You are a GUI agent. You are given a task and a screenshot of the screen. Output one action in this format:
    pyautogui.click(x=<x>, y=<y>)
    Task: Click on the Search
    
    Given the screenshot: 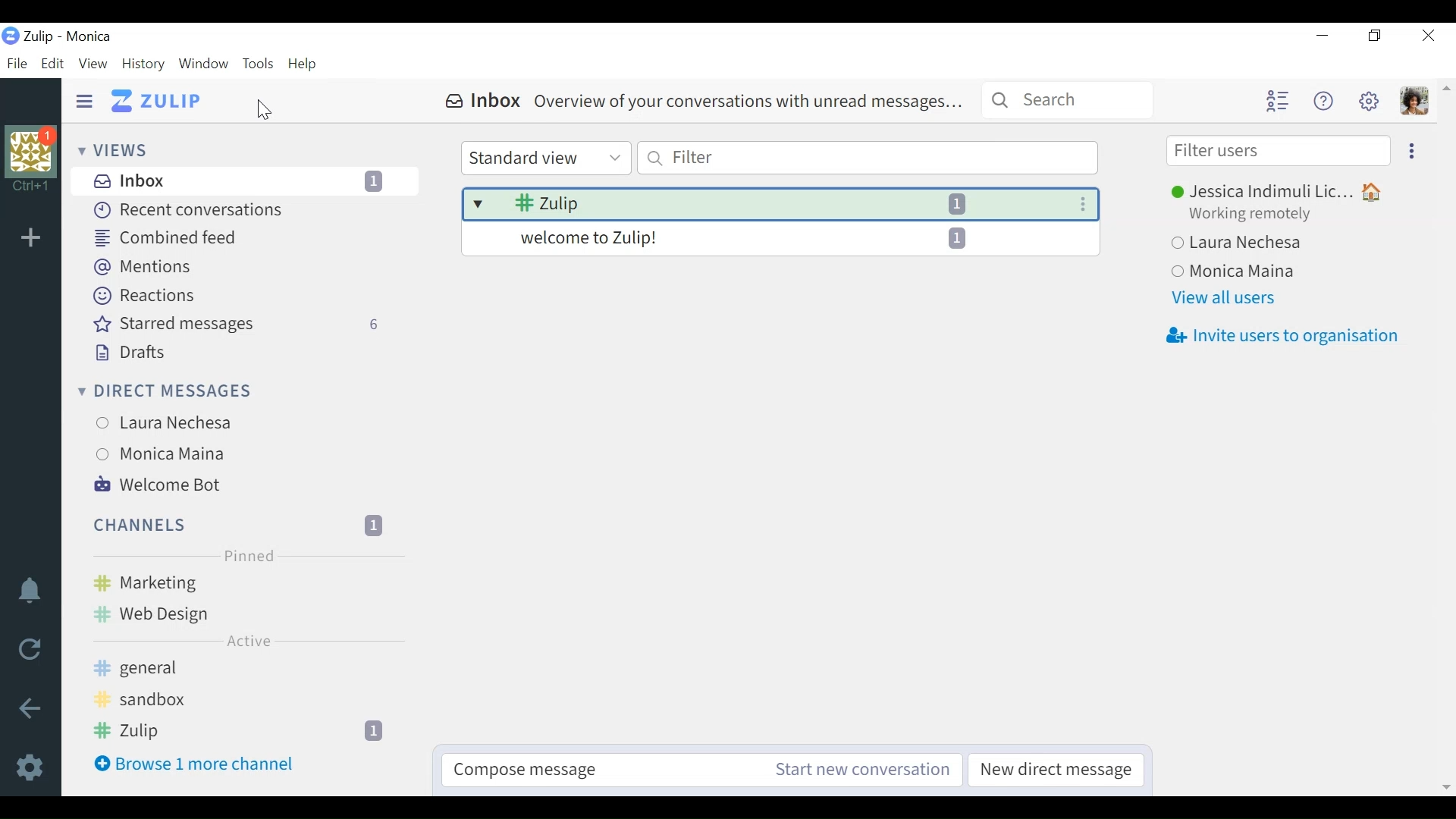 What is the action you would take?
    pyautogui.click(x=1065, y=100)
    